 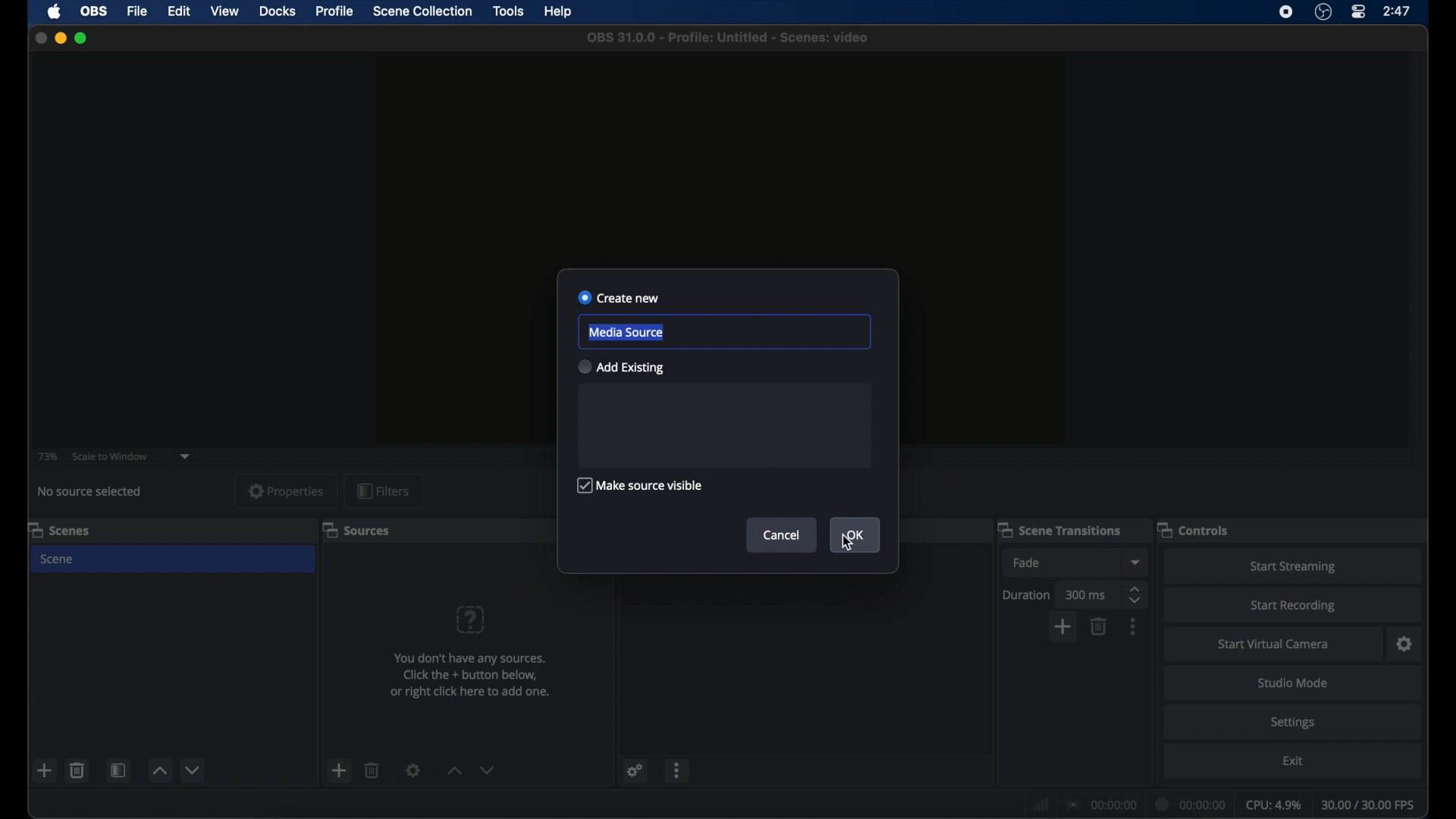 What do you see at coordinates (424, 11) in the screenshot?
I see `scene collection` at bounding box center [424, 11].